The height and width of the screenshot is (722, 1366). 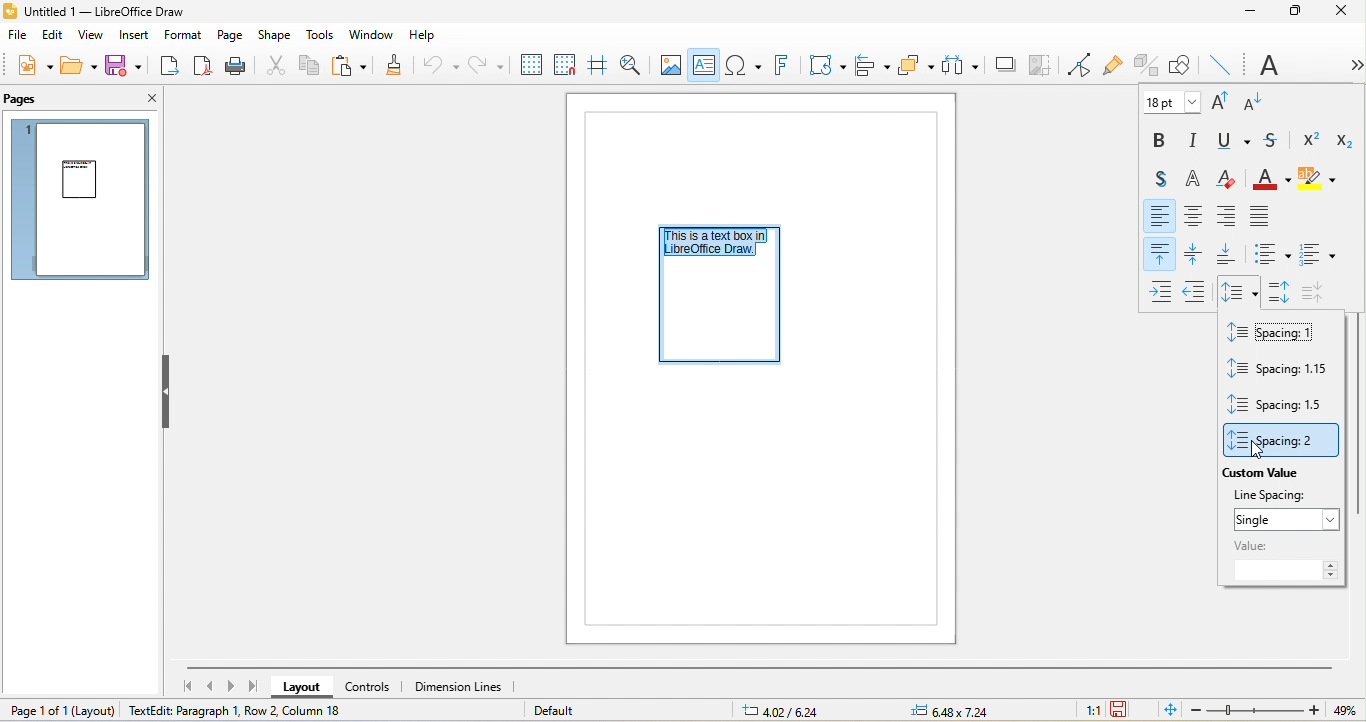 What do you see at coordinates (1000, 63) in the screenshot?
I see `shadow` at bounding box center [1000, 63].